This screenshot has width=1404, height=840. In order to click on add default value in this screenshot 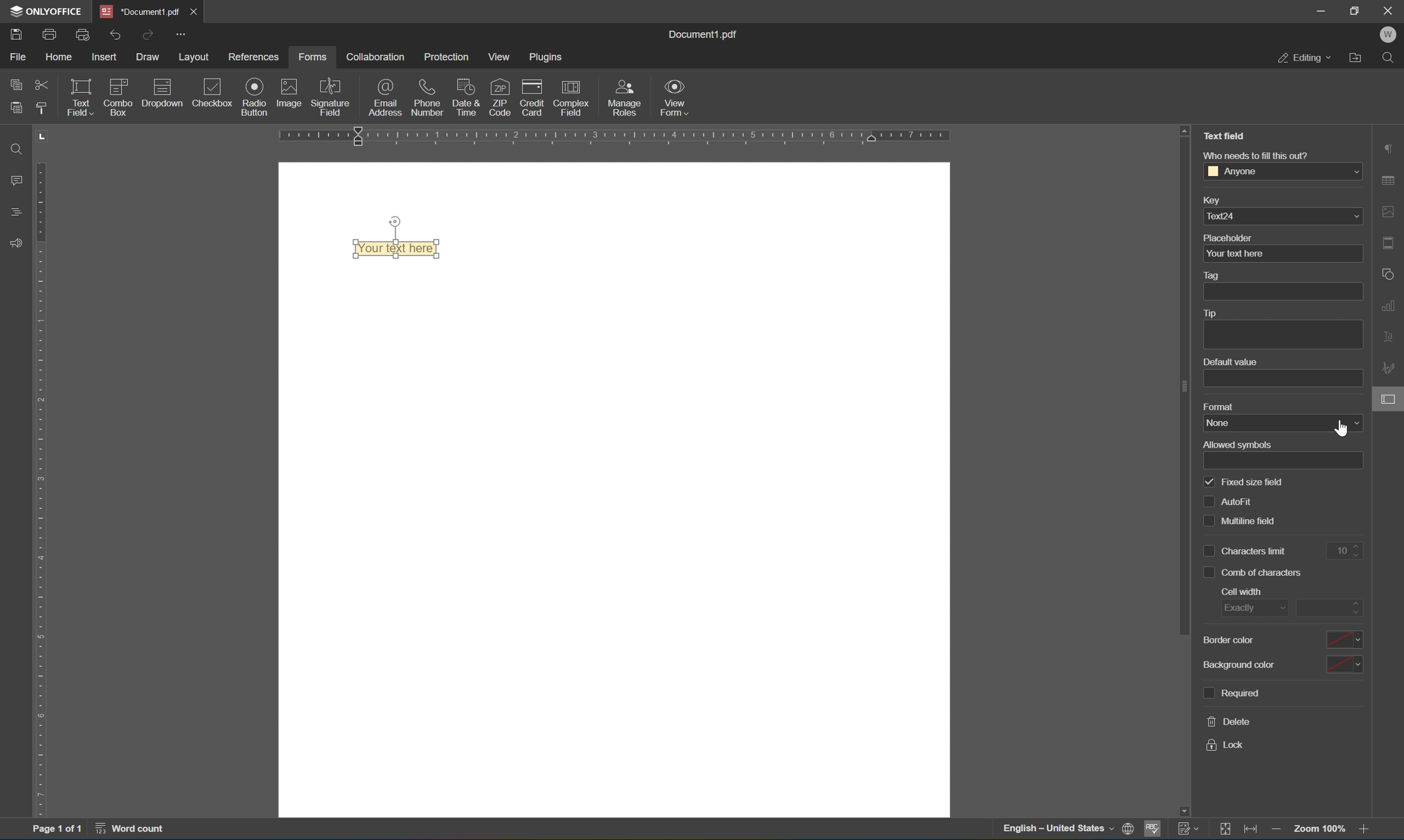, I will do `click(1283, 379)`.